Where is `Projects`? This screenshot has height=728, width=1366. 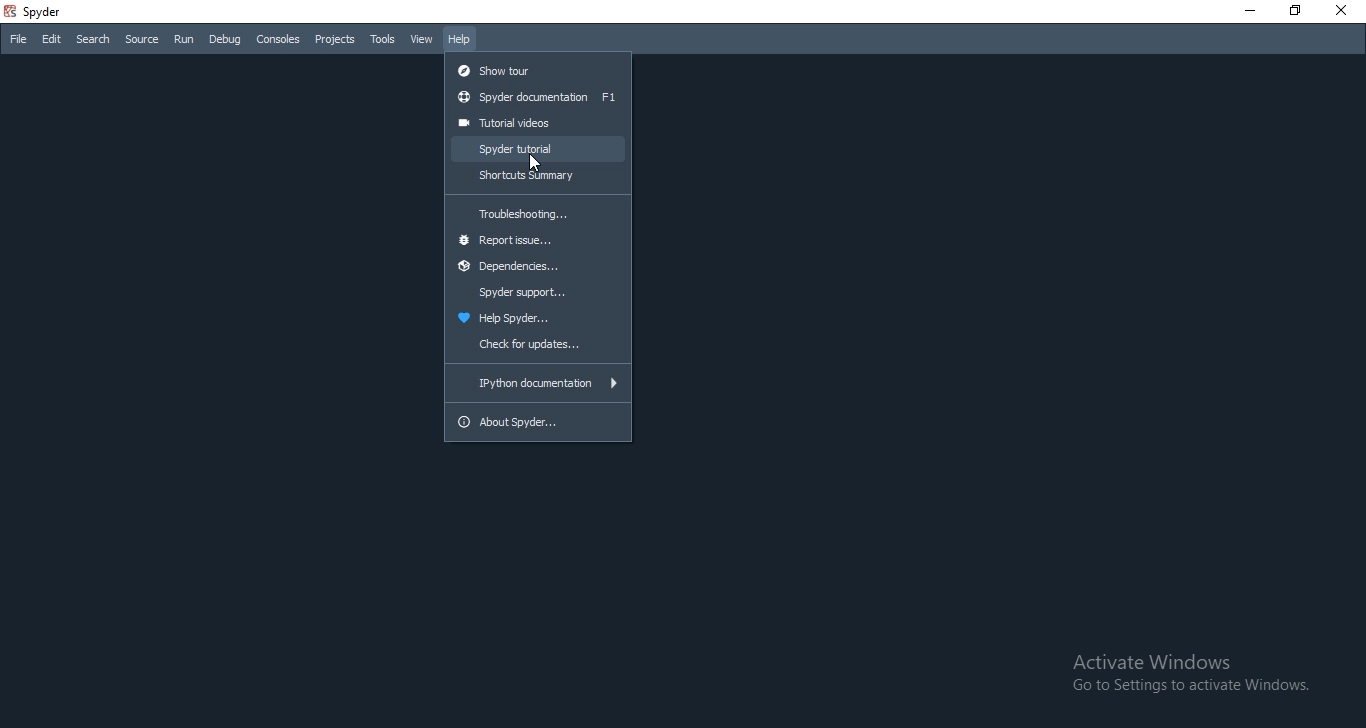
Projects is located at coordinates (334, 40).